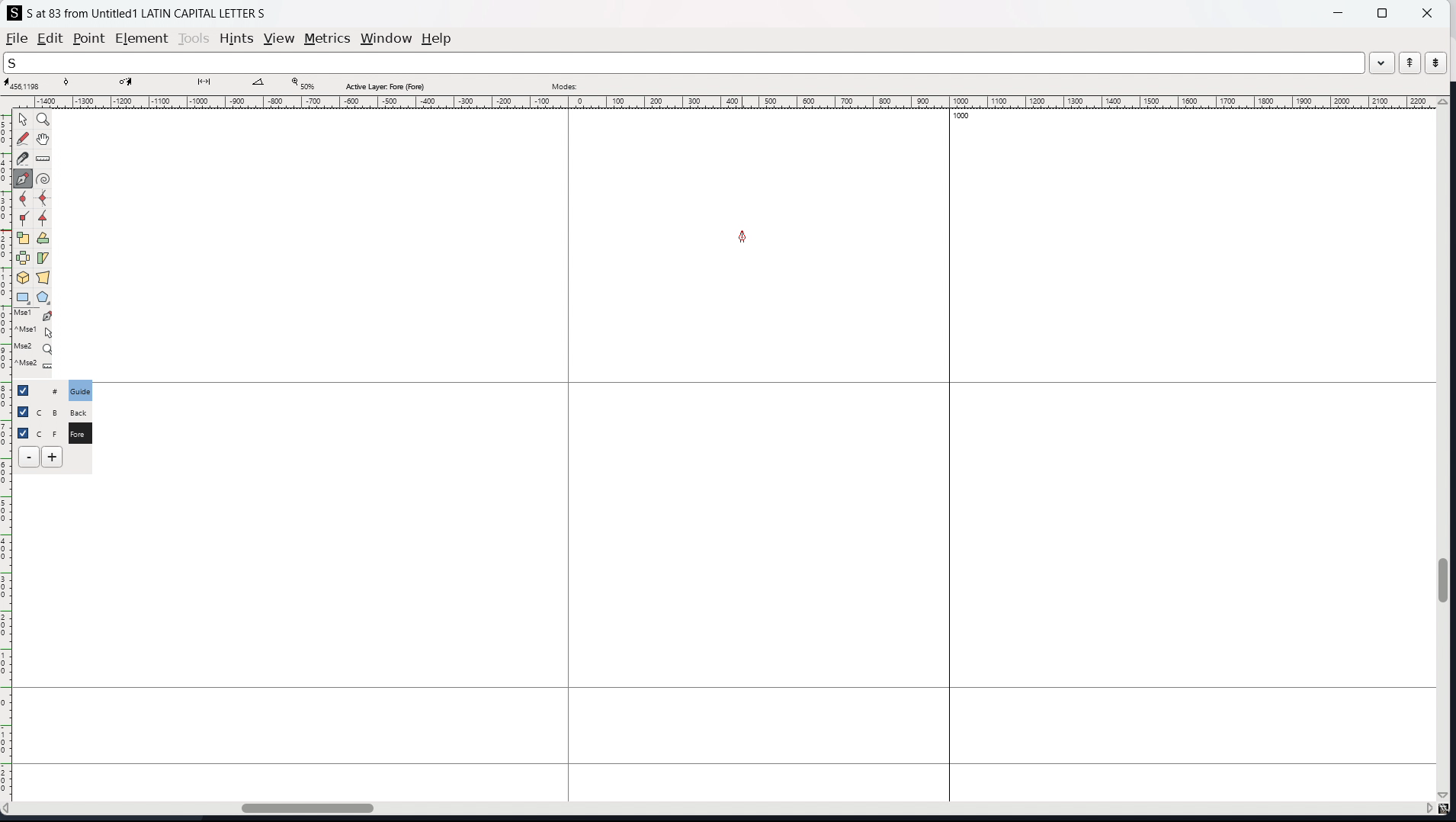  What do you see at coordinates (24, 199) in the screenshot?
I see `add a curve point` at bounding box center [24, 199].